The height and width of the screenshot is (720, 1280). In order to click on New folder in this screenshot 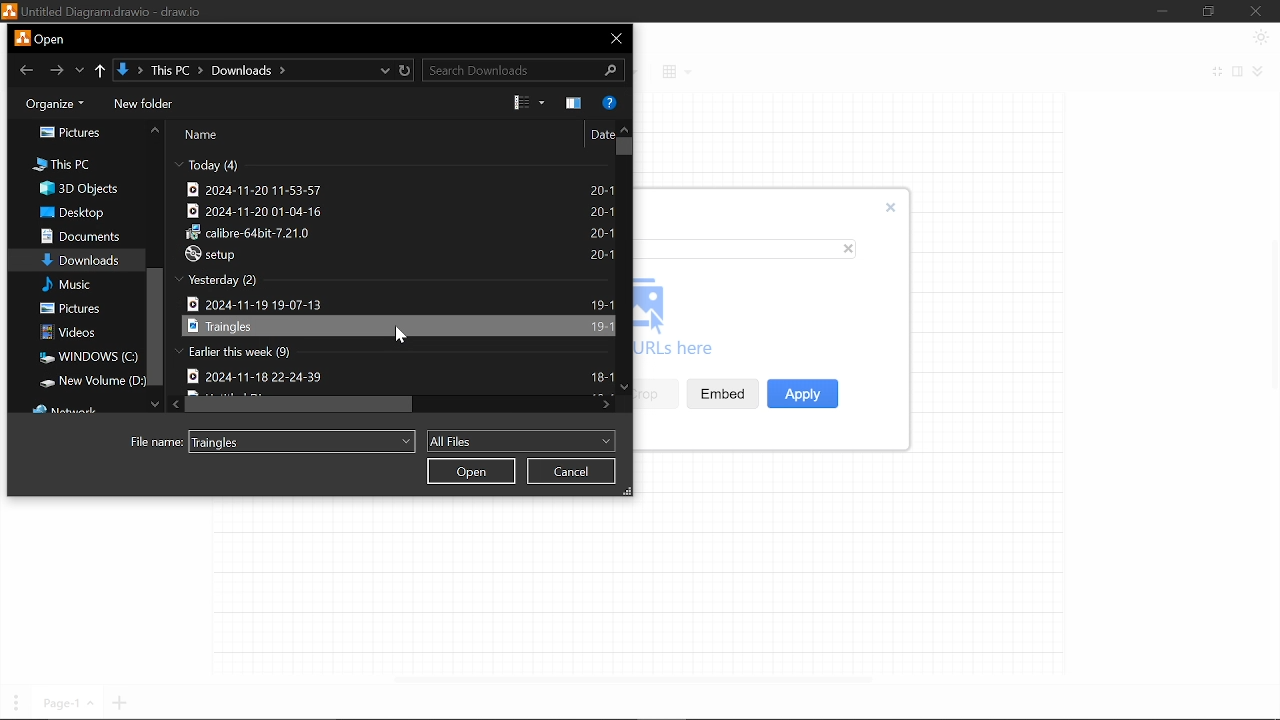, I will do `click(142, 105)`.